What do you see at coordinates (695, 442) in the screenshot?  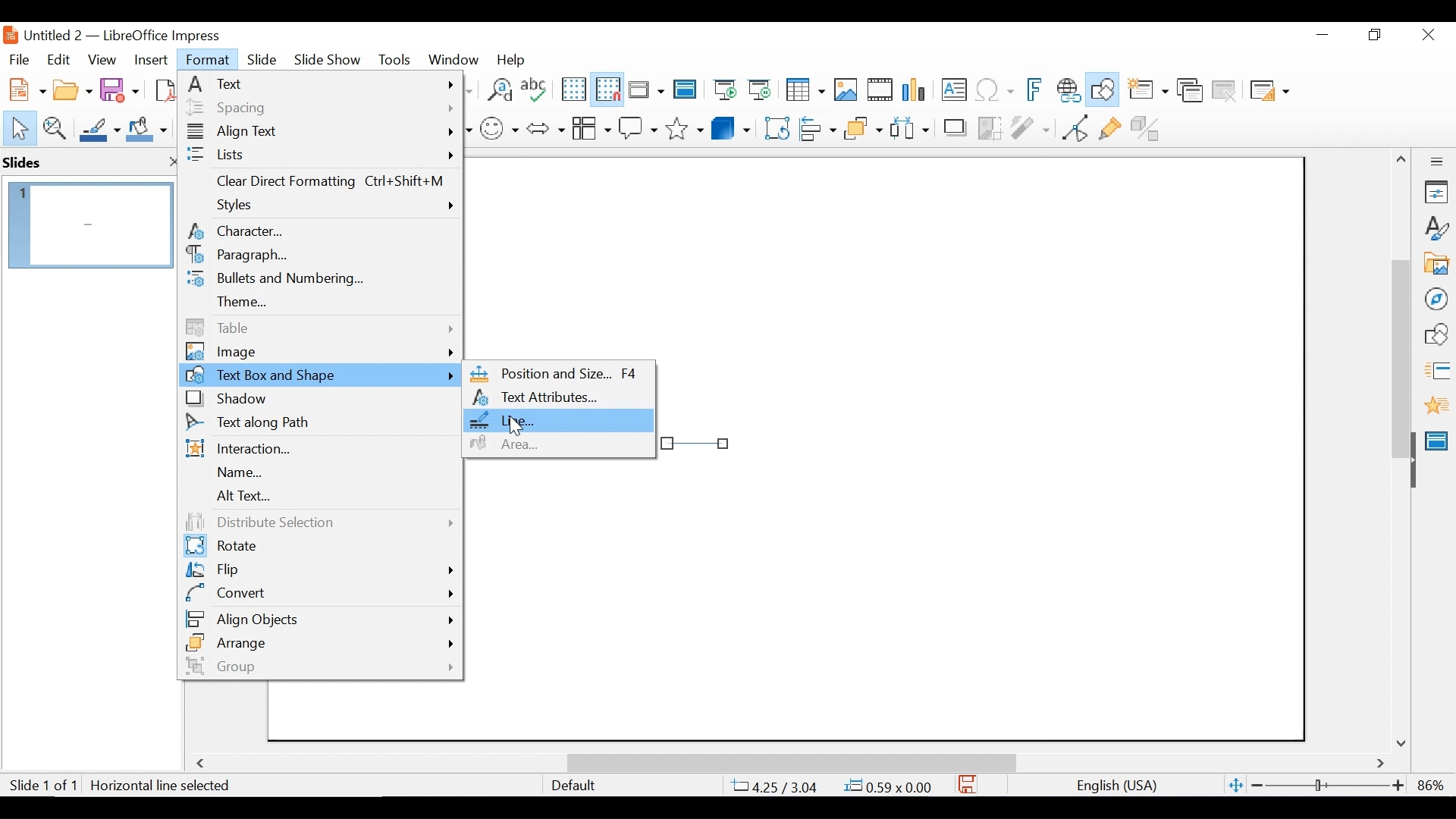 I see `Horizontal Line` at bounding box center [695, 442].